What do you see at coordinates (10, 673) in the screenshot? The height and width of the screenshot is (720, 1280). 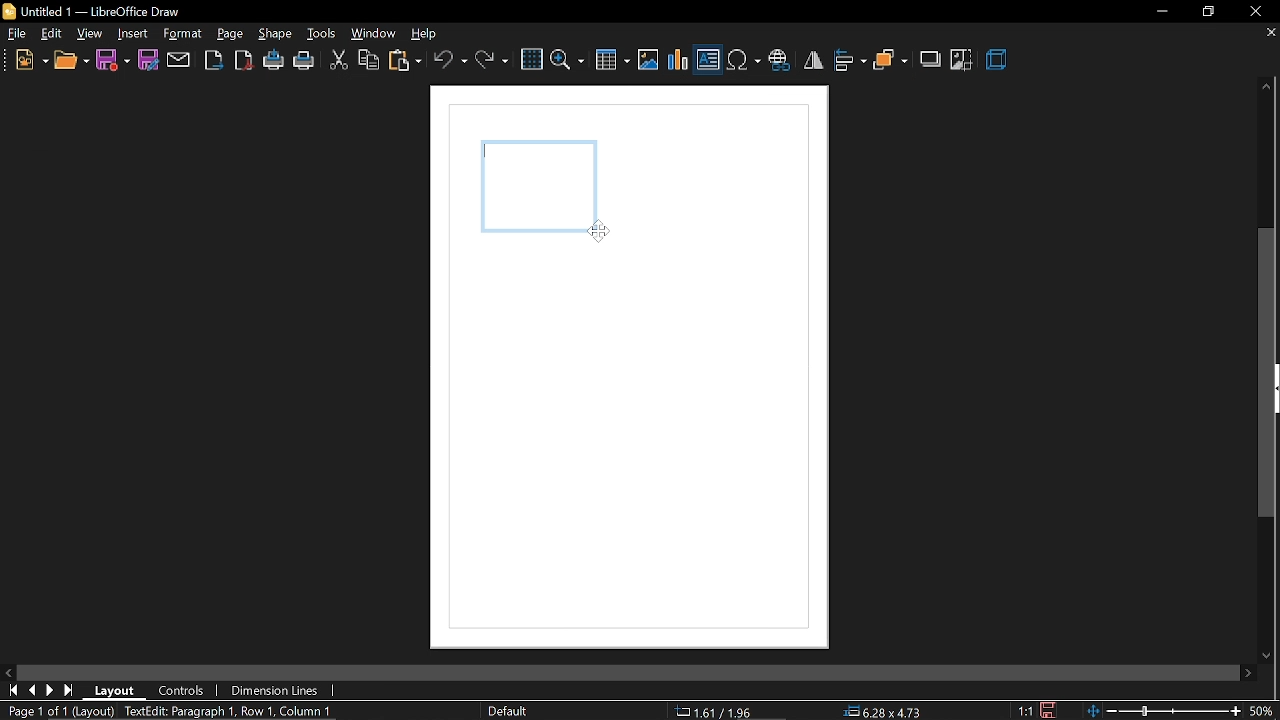 I see `move left` at bounding box center [10, 673].